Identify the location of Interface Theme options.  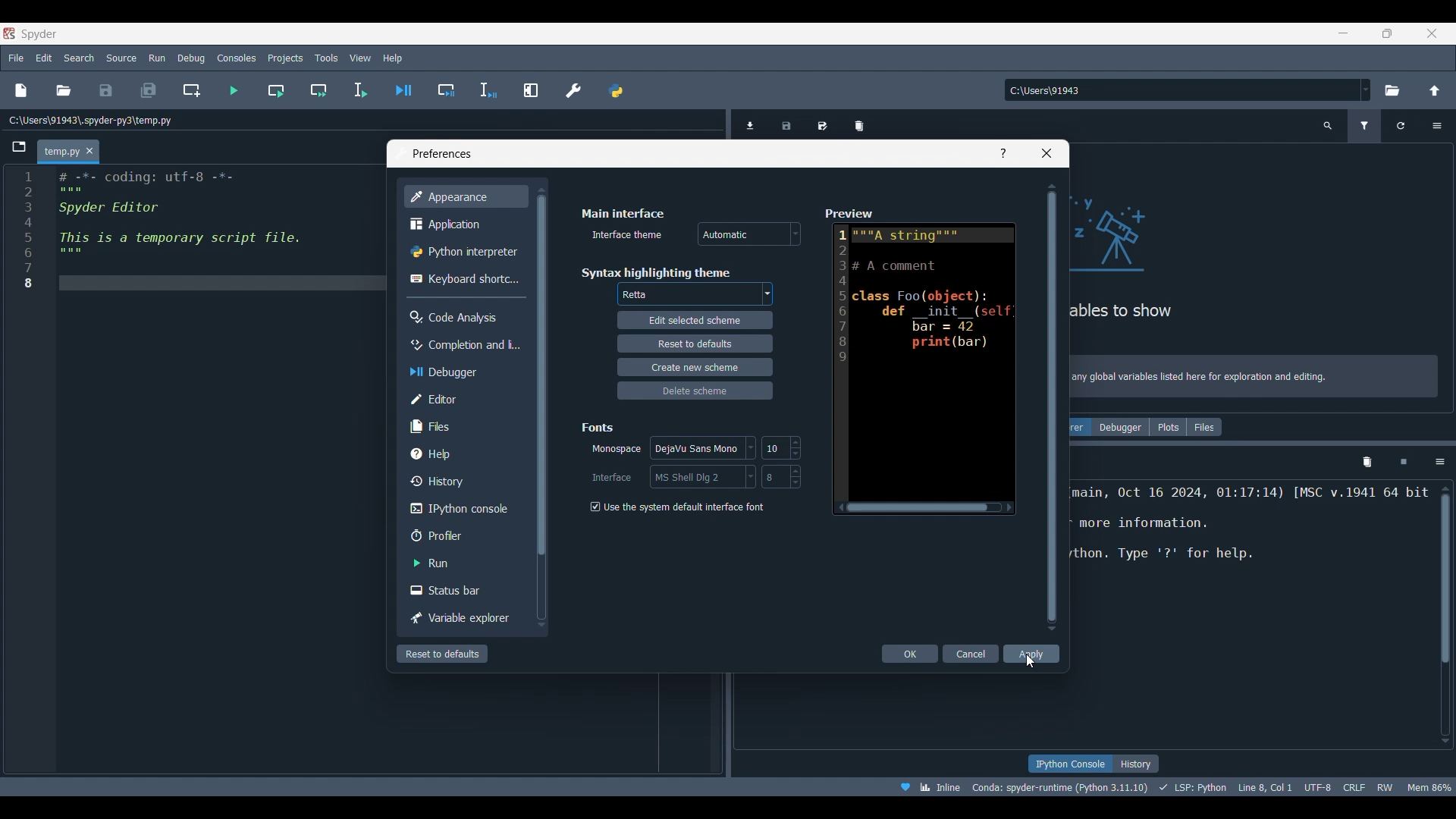
(749, 234).